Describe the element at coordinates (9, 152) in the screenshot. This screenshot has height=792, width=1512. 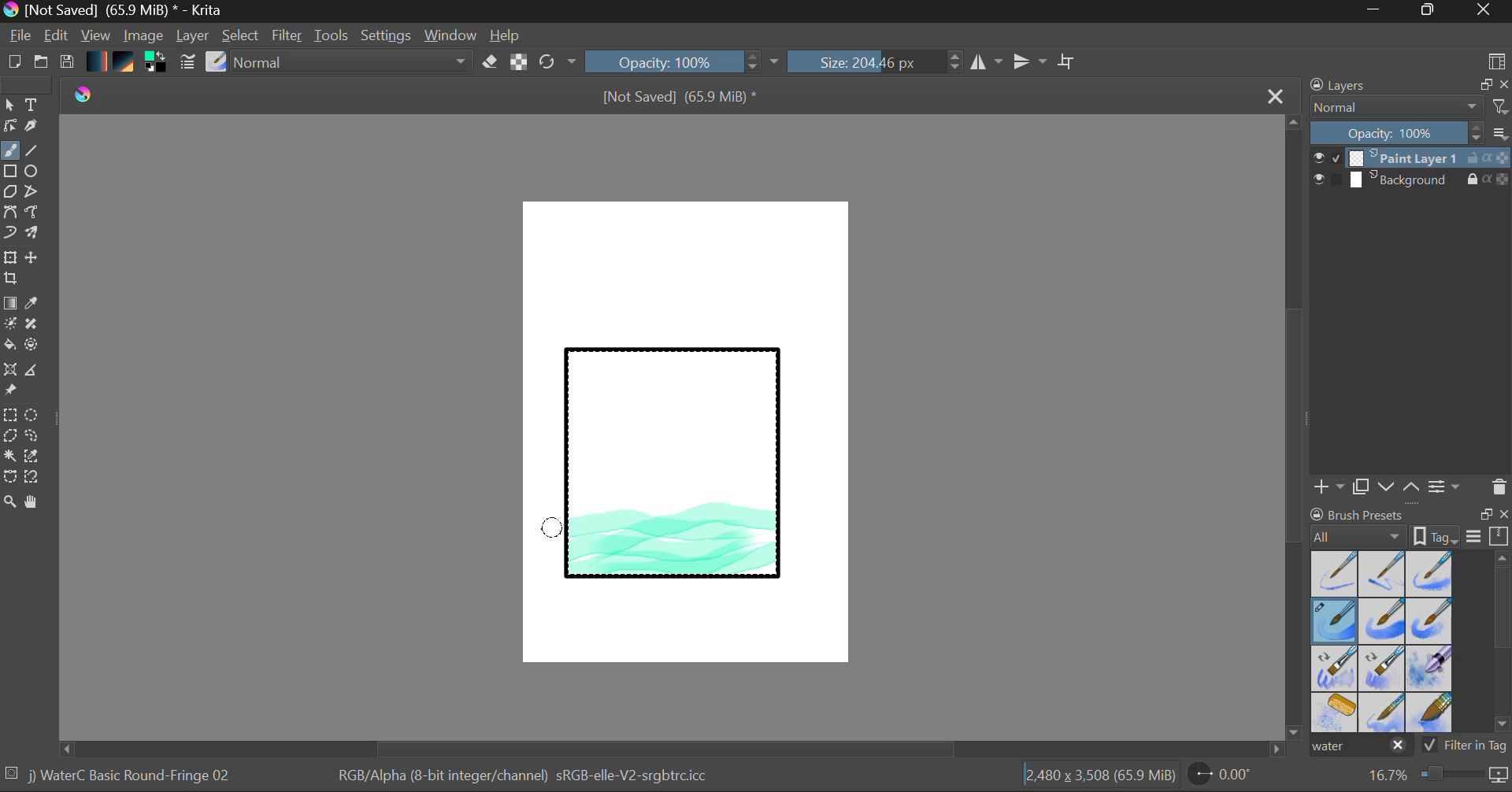
I see `Paintbrush` at that location.